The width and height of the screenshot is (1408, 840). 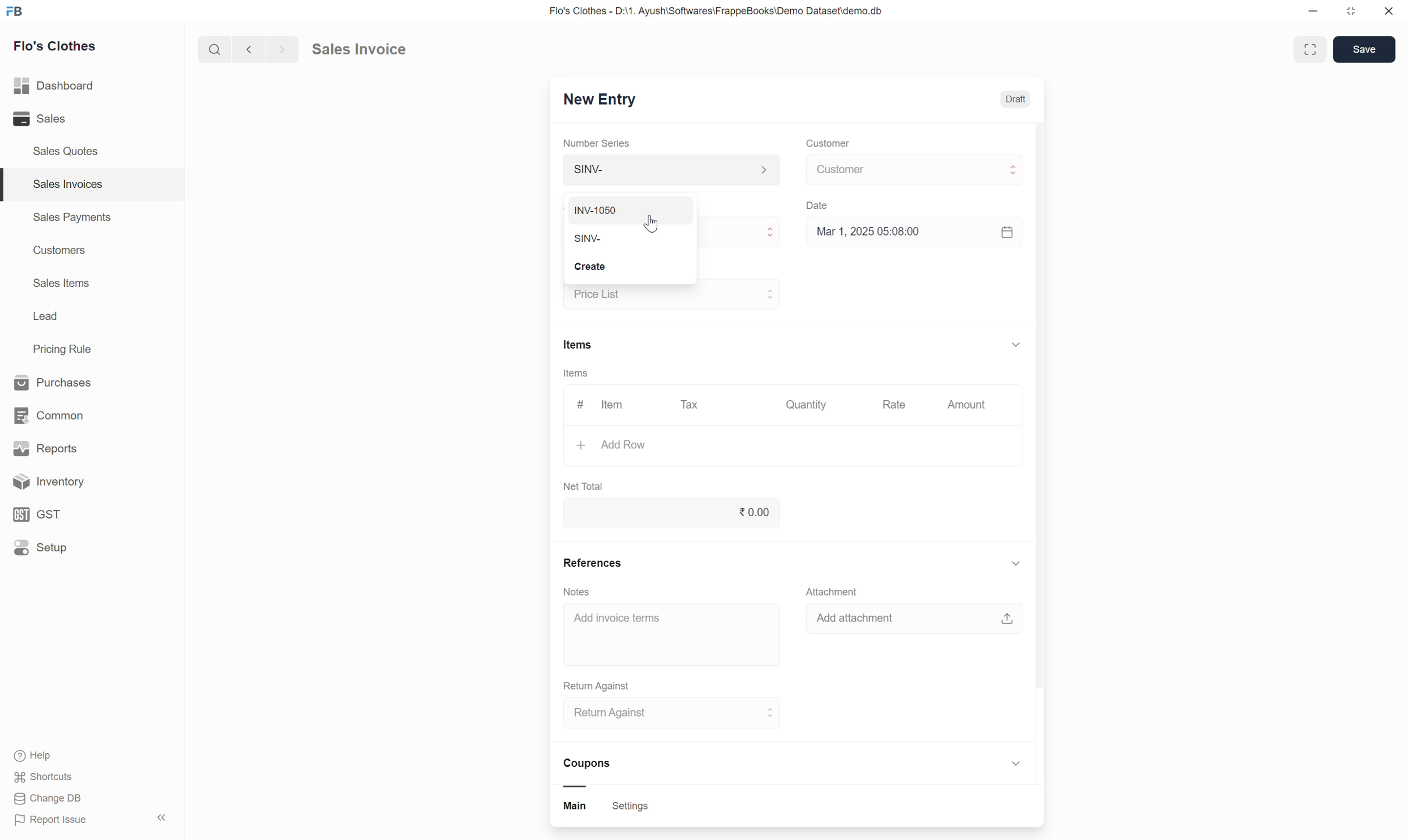 I want to click on GST , so click(x=79, y=513).